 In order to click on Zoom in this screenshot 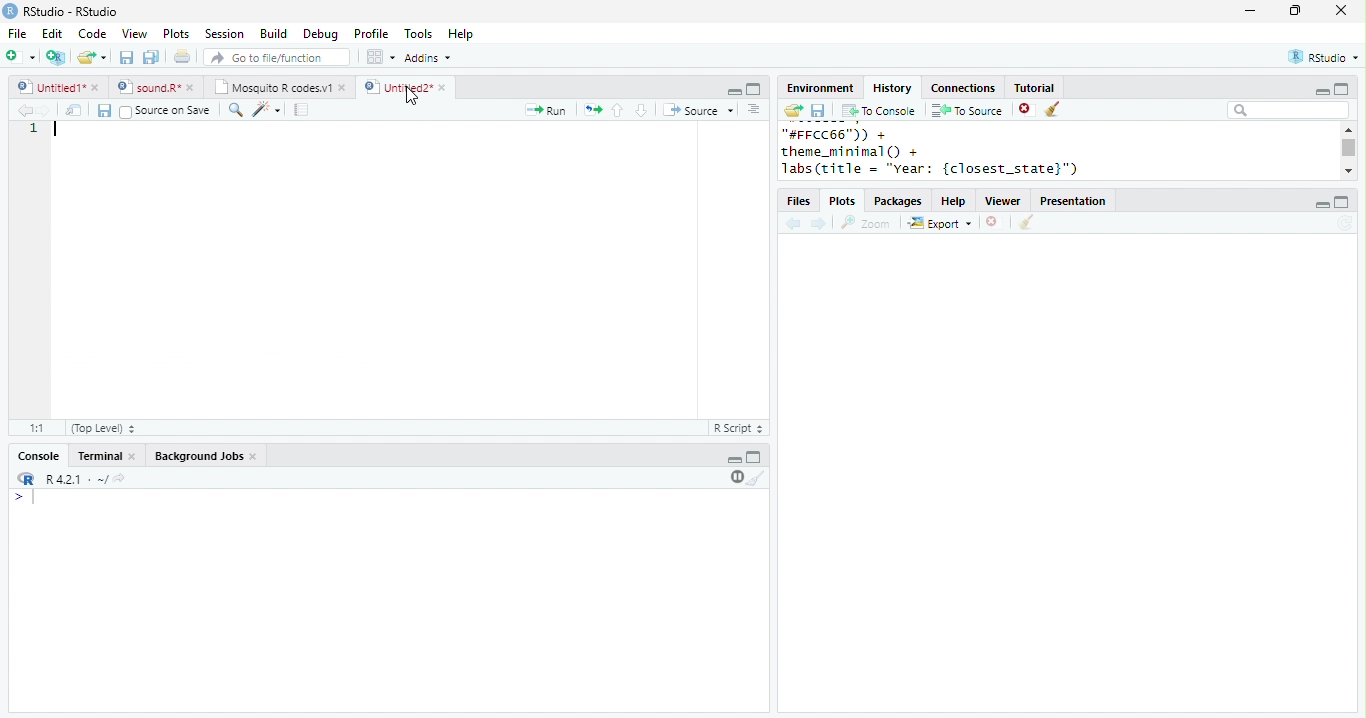, I will do `click(866, 223)`.